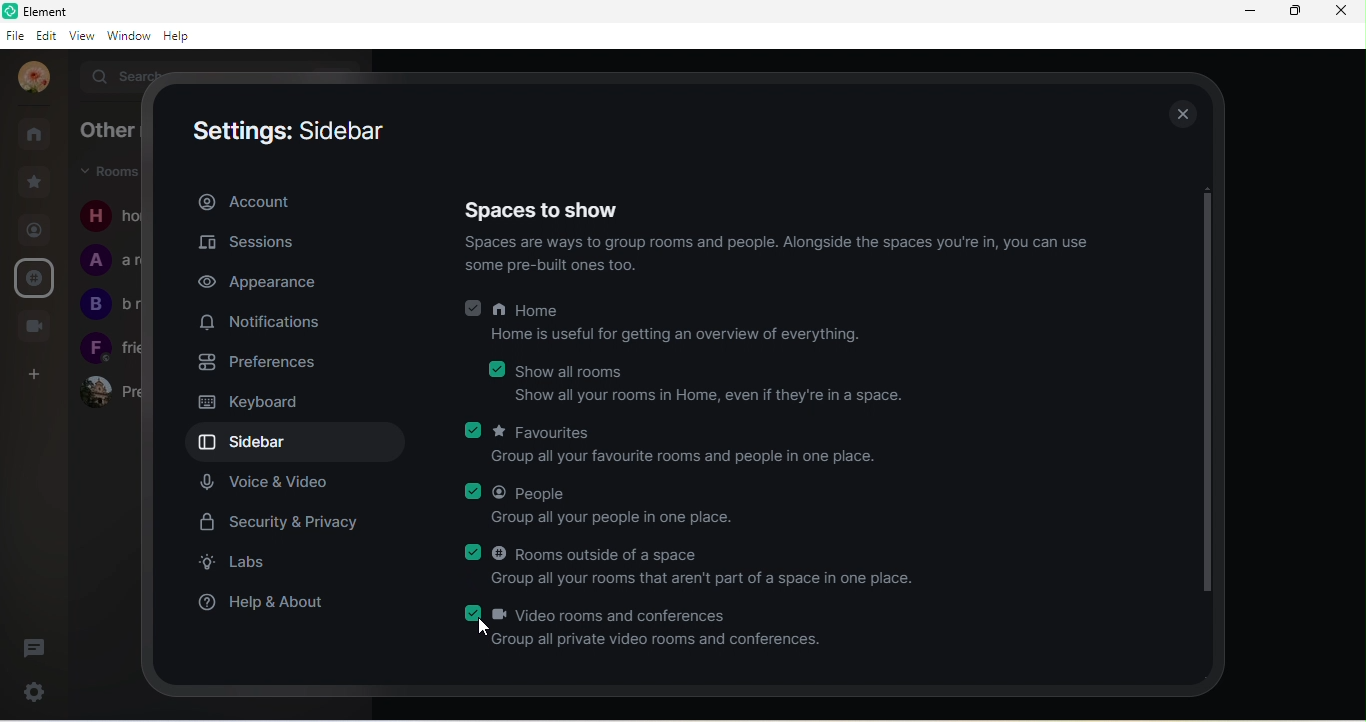 This screenshot has width=1366, height=722. I want to click on rooms outside of a space, so click(701, 567).